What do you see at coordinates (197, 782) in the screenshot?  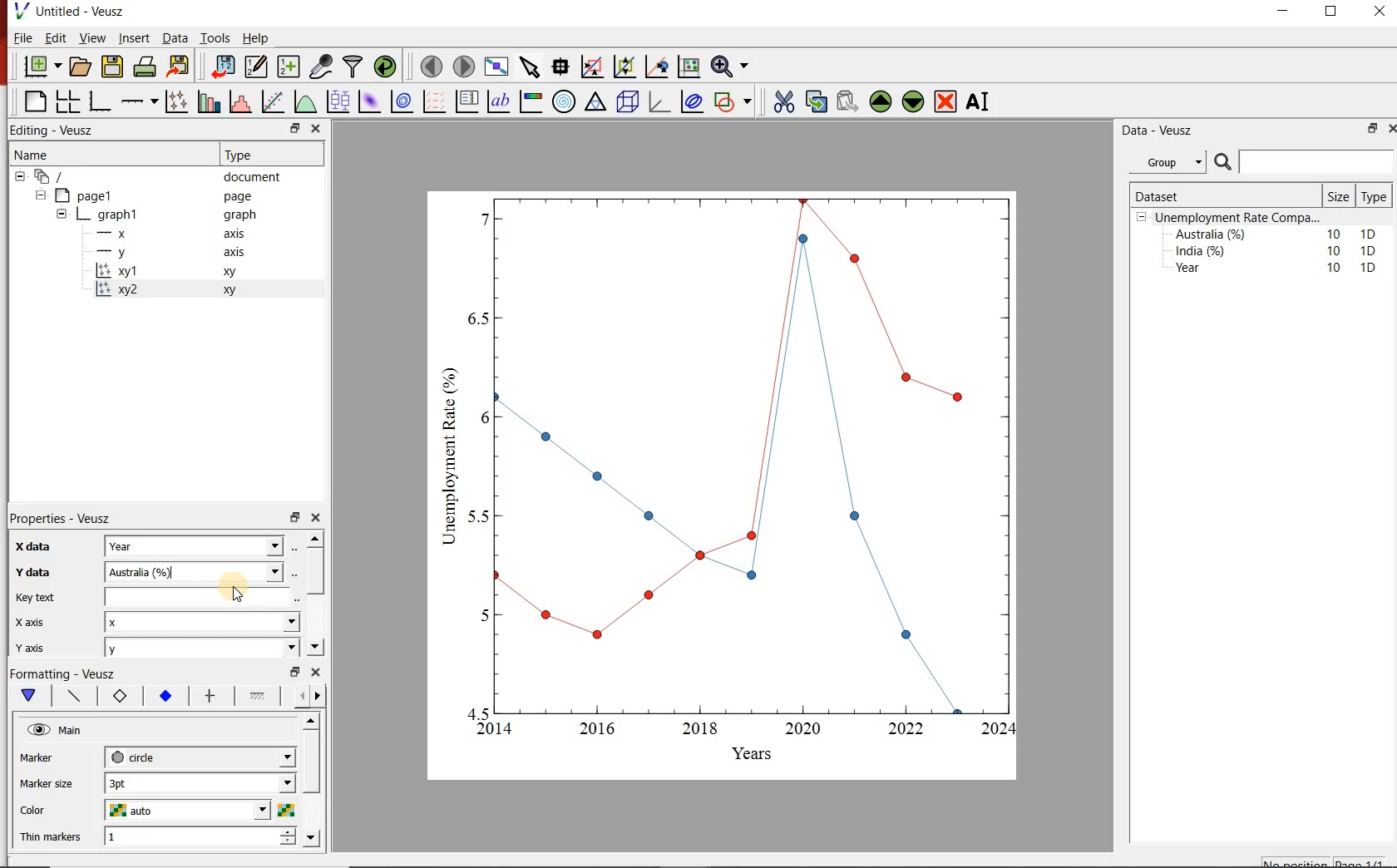 I see `1 pt` at bounding box center [197, 782].